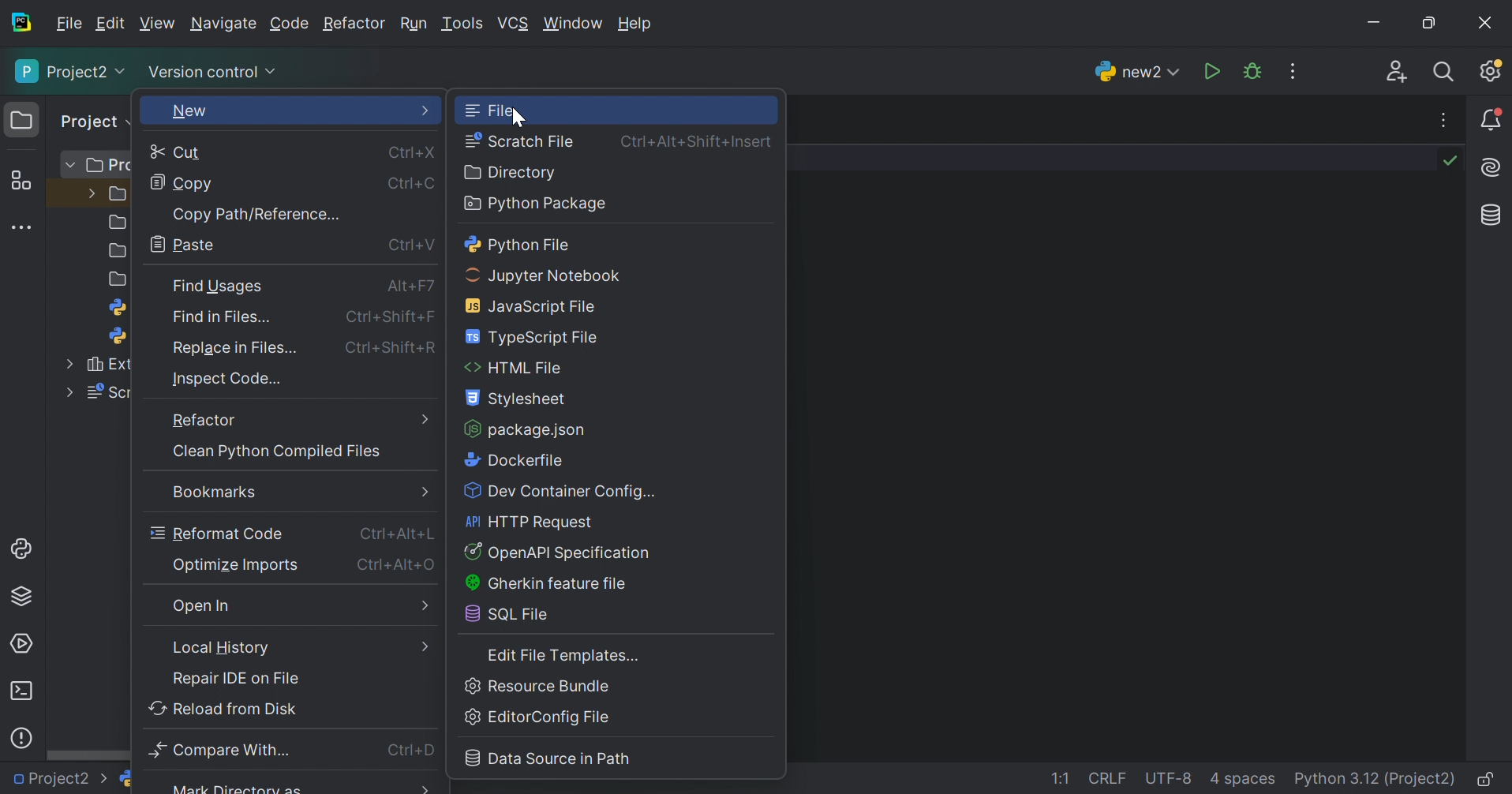 Image resolution: width=1512 pixels, height=794 pixels. I want to click on Paste, so click(187, 243).